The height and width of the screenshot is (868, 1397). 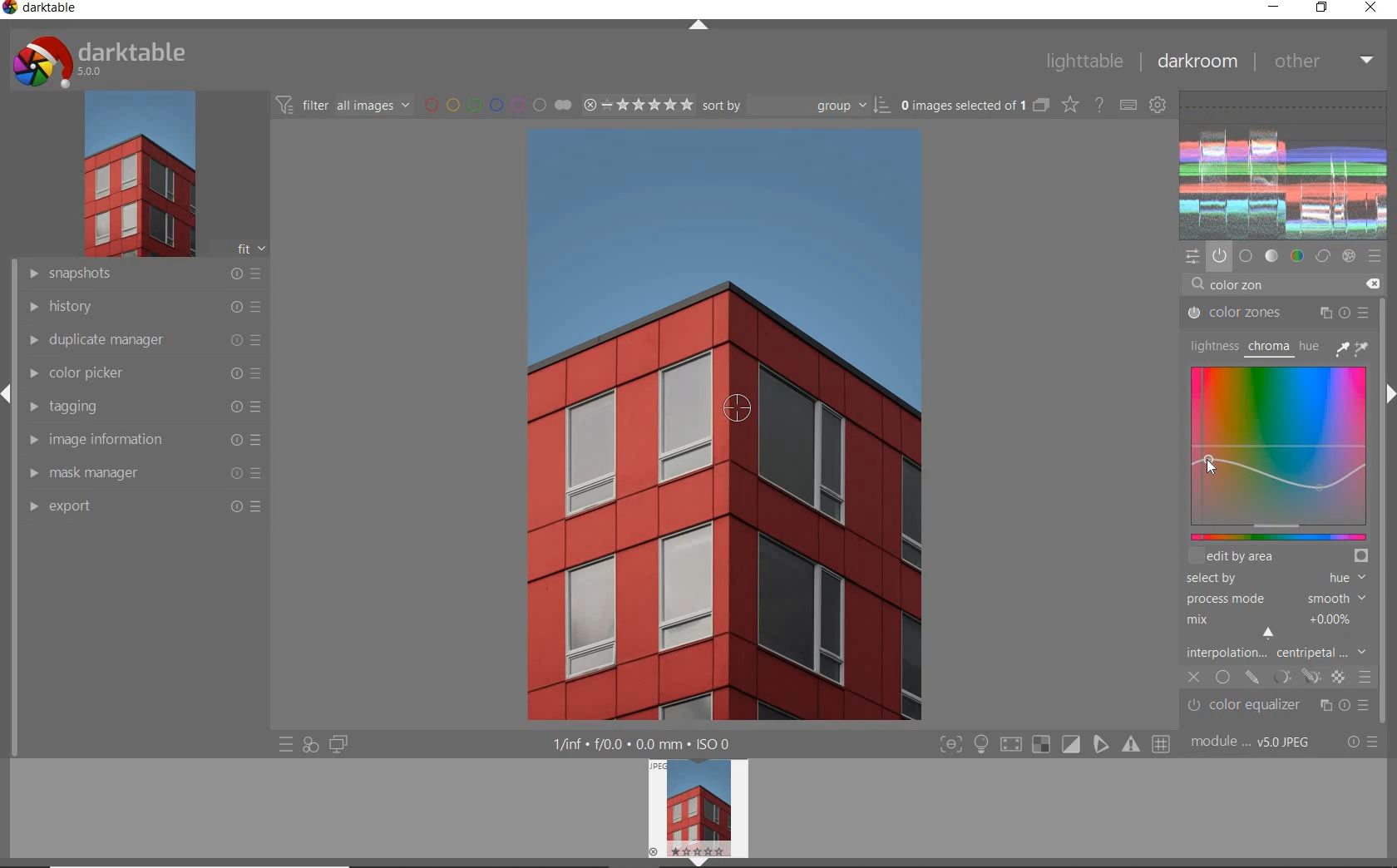 I want to click on PROCESS MODE, so click(x=1274, y=598).